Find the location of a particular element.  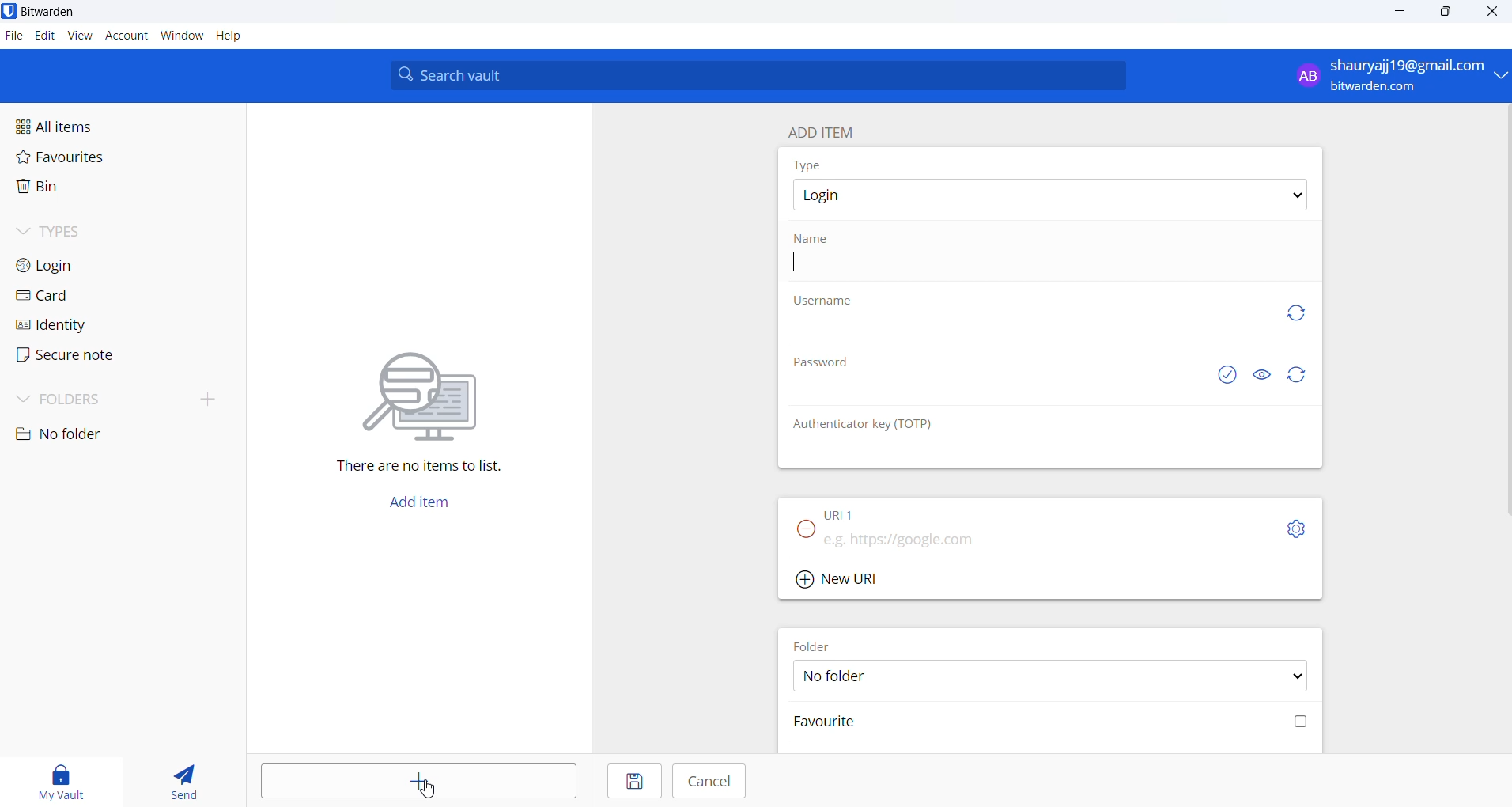

Password text box is located at coordinates (992, 396).